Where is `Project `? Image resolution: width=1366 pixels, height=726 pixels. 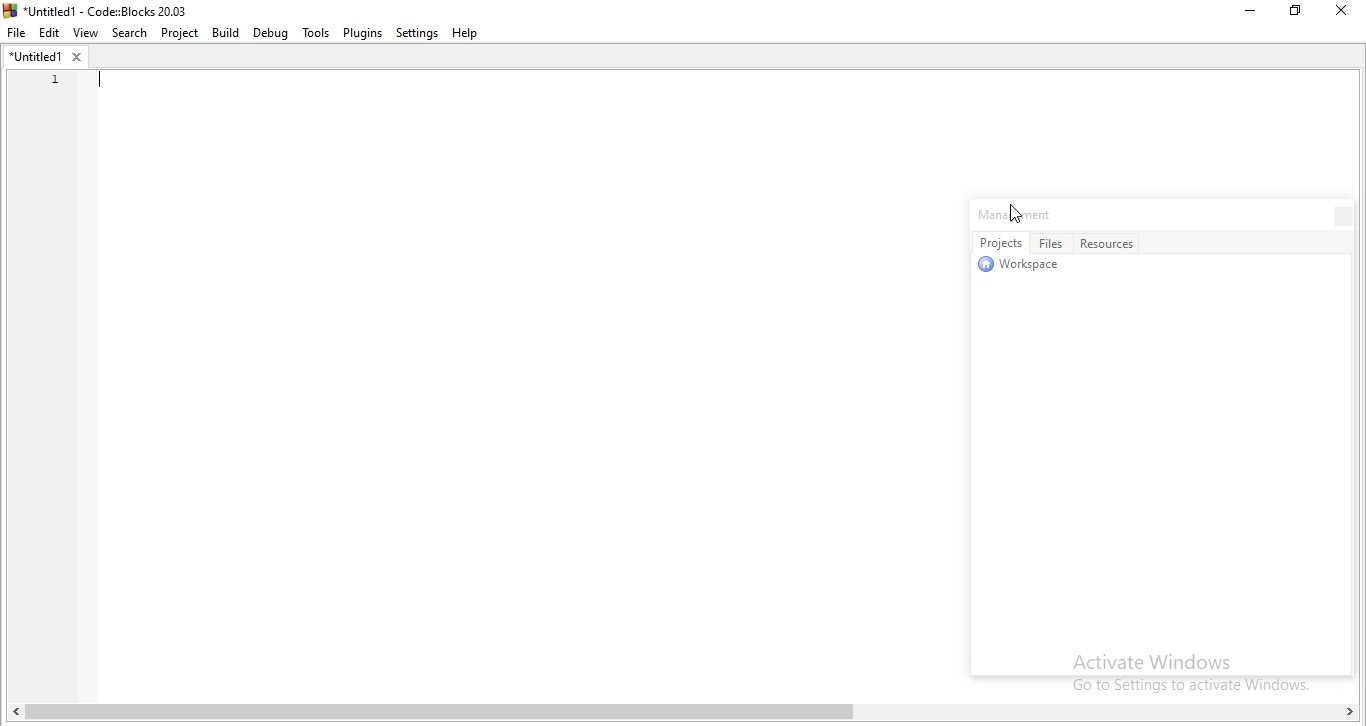 Project  is located at coordinates (181, 34).